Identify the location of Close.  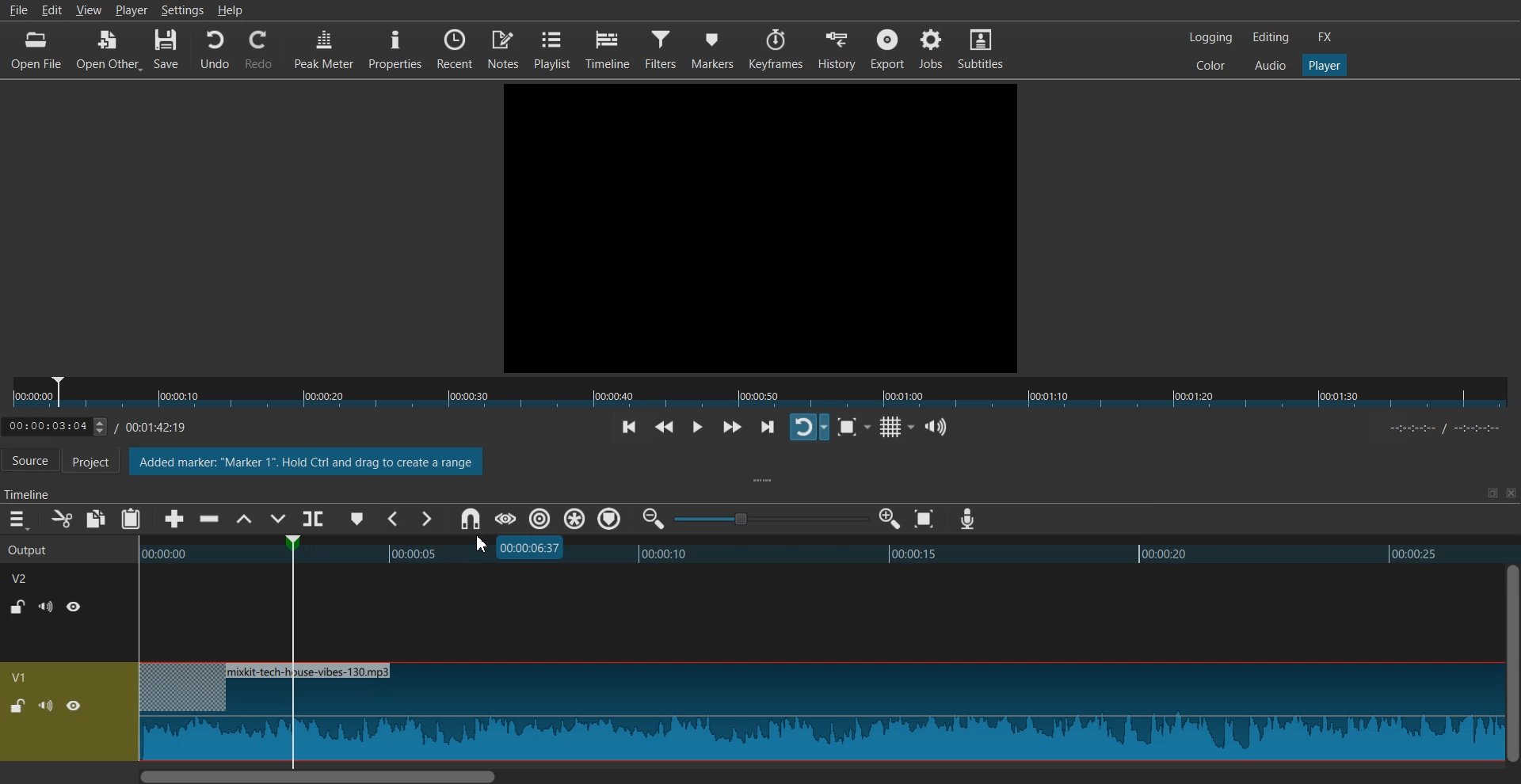
(1509, 493).